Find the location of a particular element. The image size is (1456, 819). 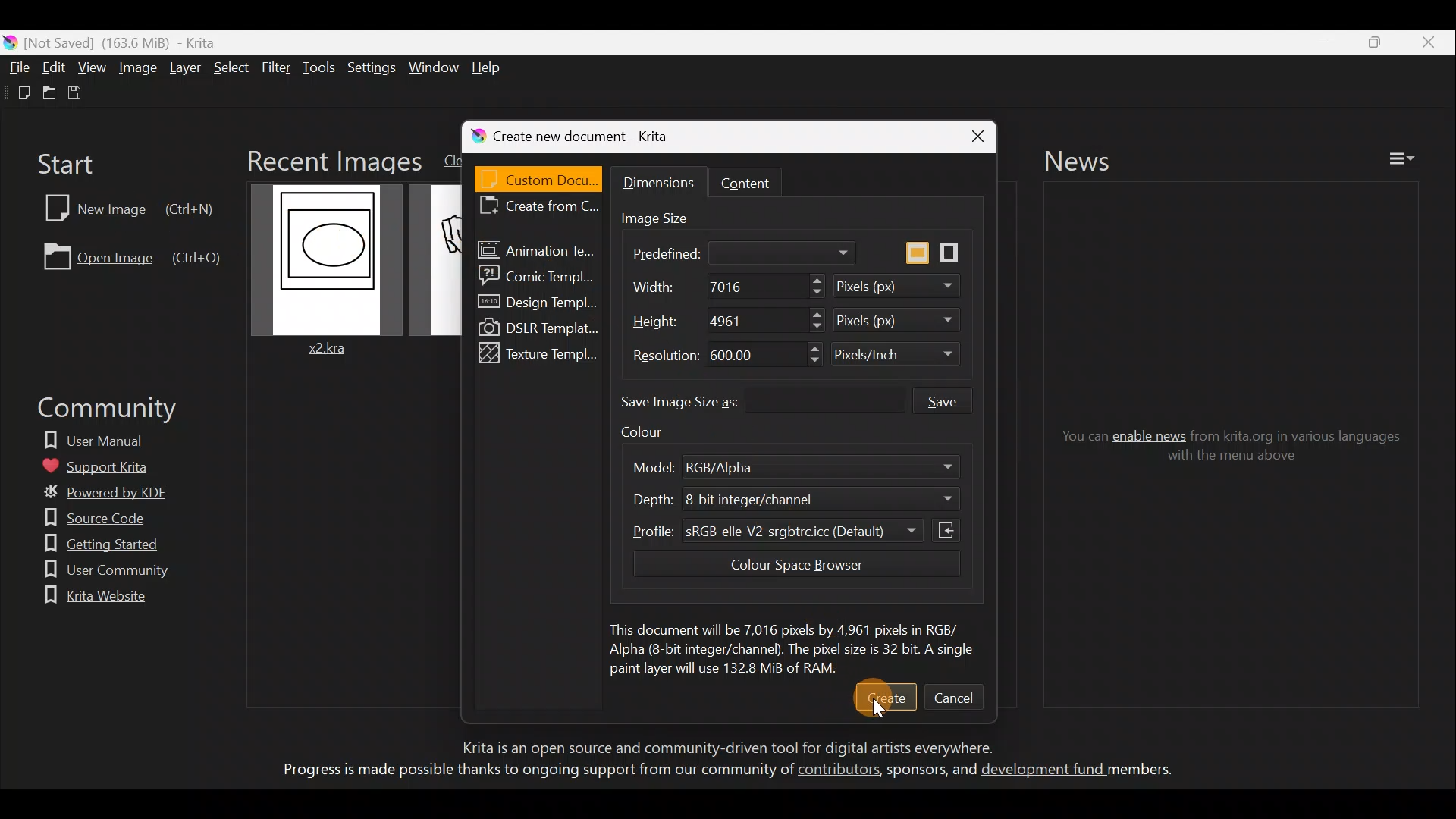

Dimensions is located at coordinates (661, 184).